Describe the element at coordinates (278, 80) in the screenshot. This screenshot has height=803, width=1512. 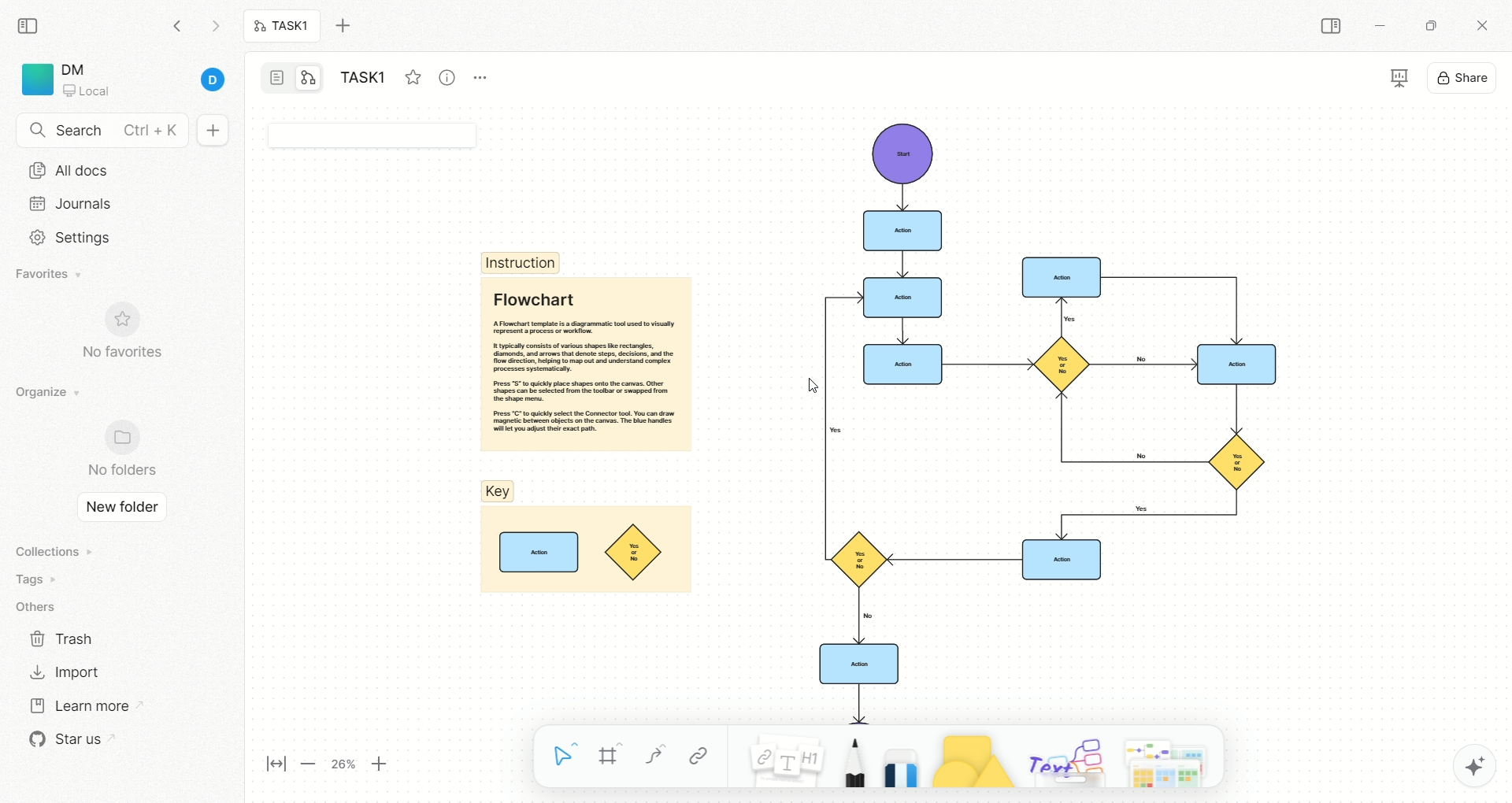
I see `page mode` at that location.